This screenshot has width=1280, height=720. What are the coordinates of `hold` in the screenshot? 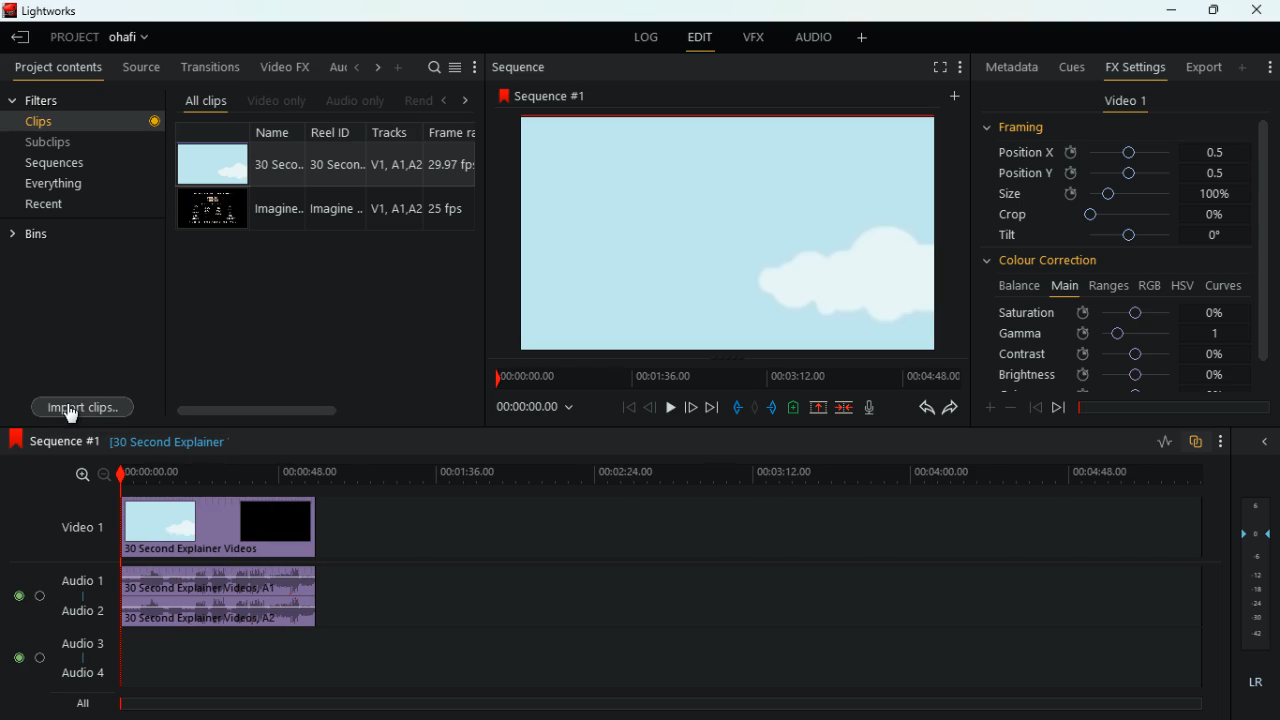 It's located at (754, 406).